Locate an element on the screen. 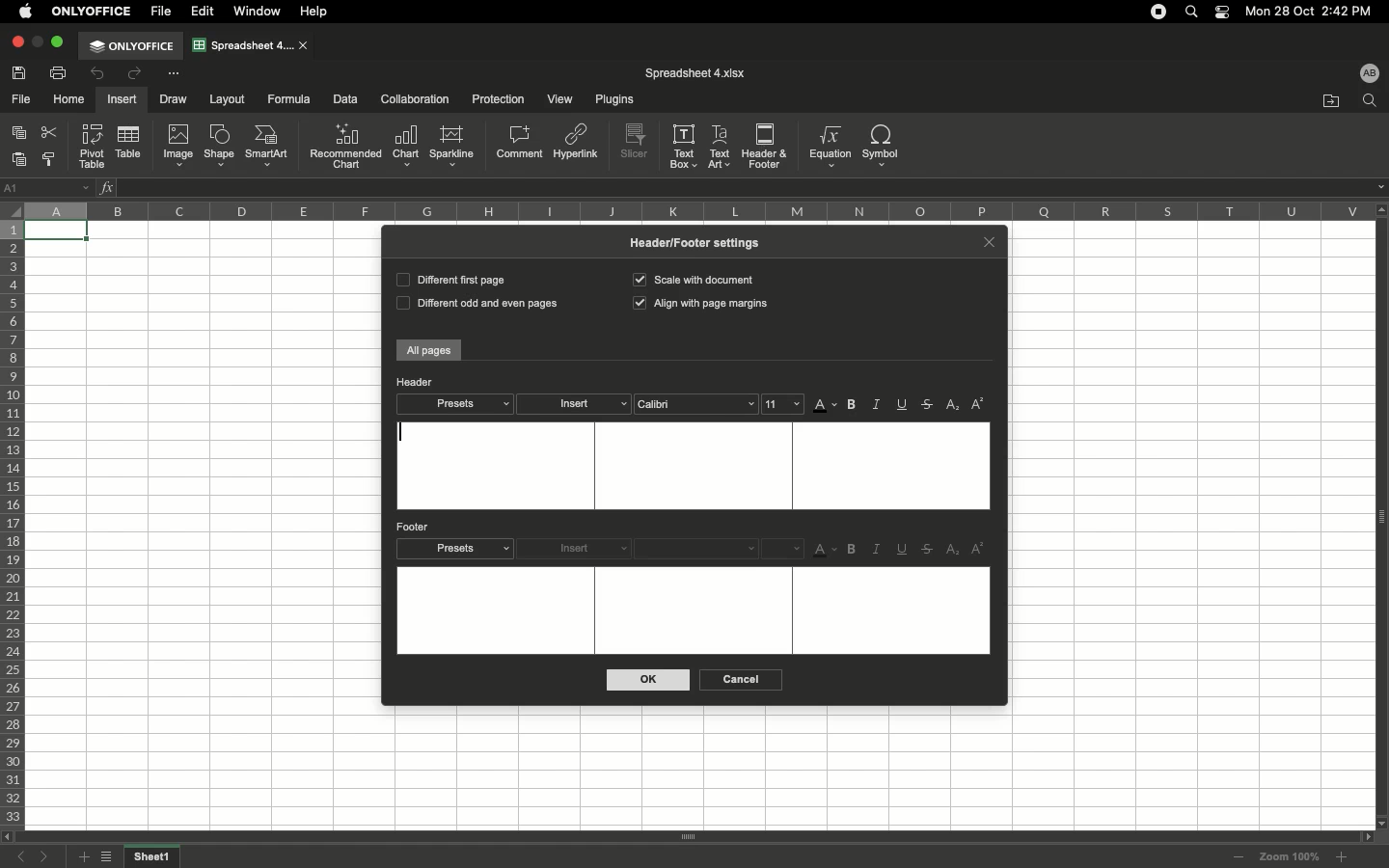 The width and height of the screenshot is (1389, 868). Bold is located at coordinates (854, 405).